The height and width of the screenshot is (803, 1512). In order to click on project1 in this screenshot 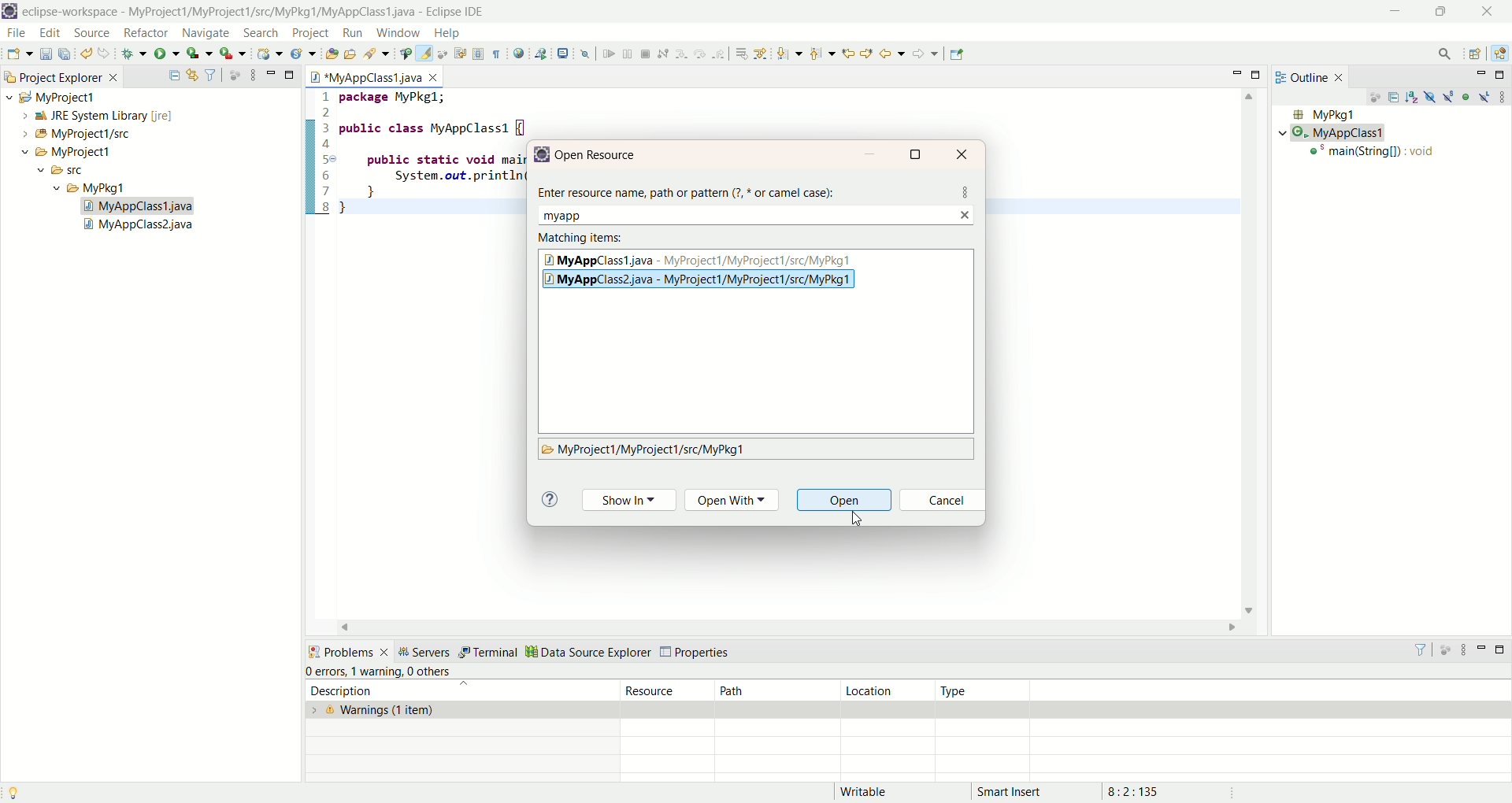, I will do `click(57, 152)`.